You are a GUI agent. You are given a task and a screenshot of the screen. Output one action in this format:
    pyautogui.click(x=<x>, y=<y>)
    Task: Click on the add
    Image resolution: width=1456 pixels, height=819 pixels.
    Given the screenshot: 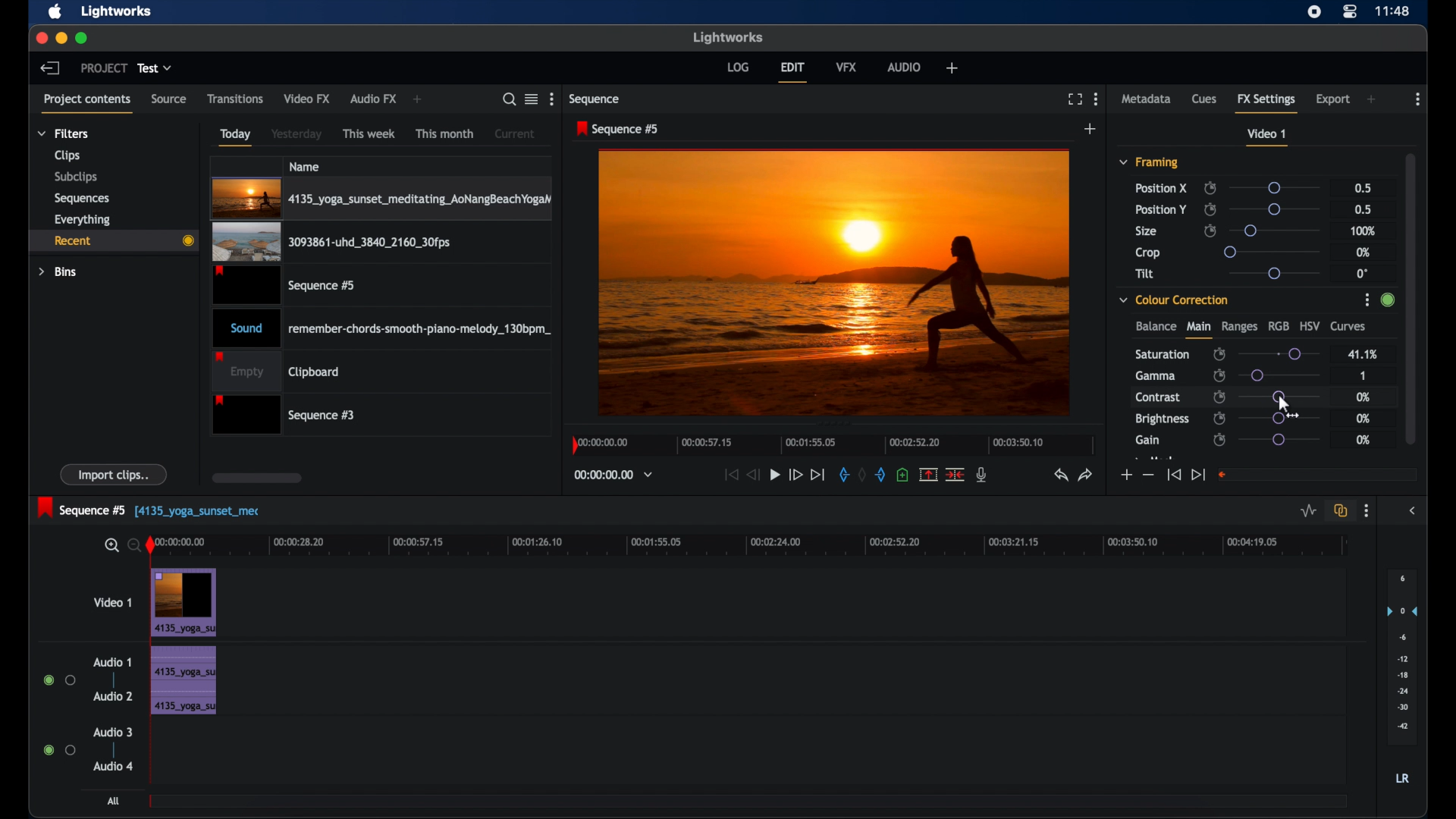 What is the action you would take?
    pyautogui.click(x=1373, y=99)
    